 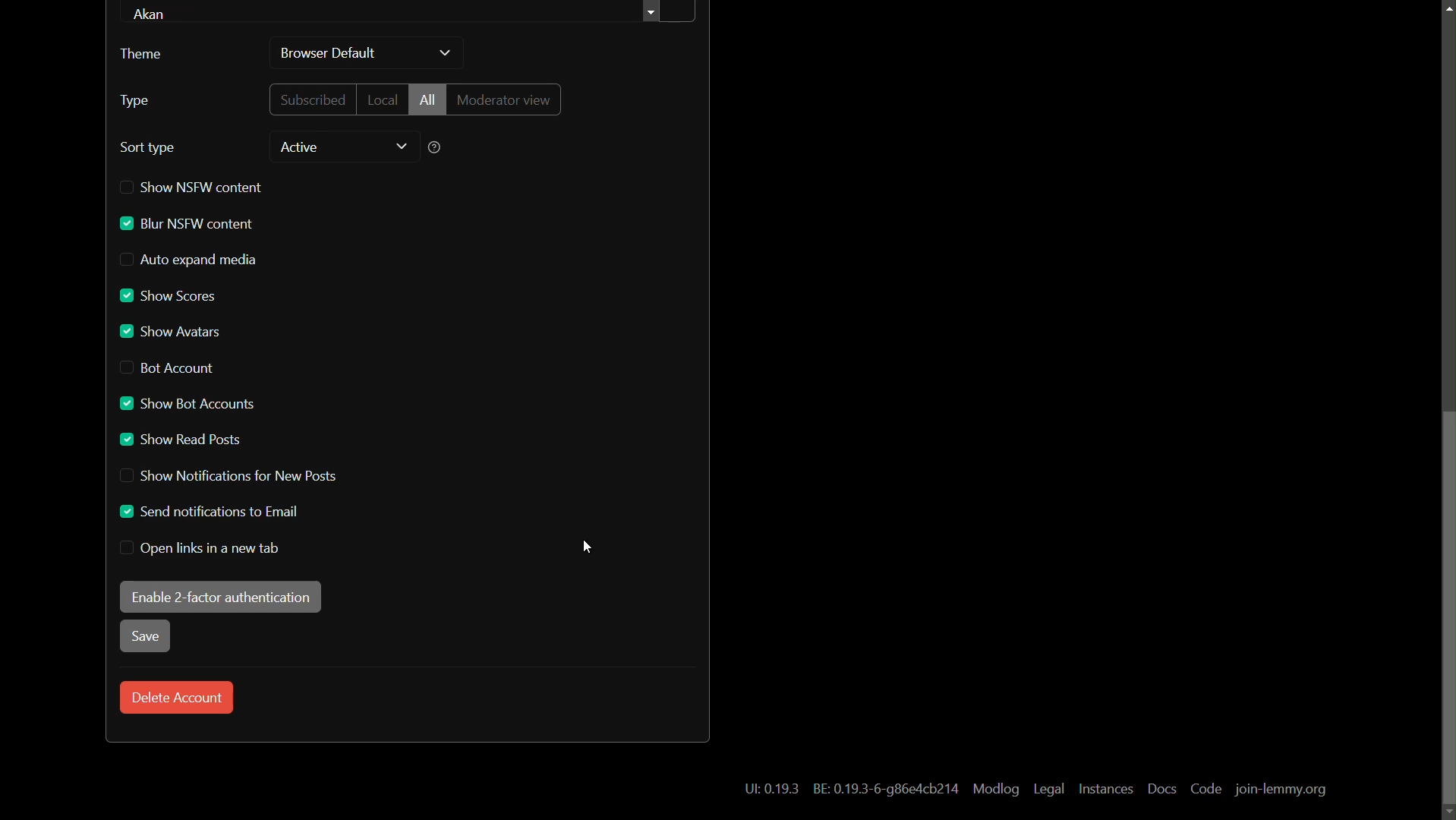 What do you see at coordinates (996, 790) in the screenshot?
I see `modlog` at bounding box center [996, 790].